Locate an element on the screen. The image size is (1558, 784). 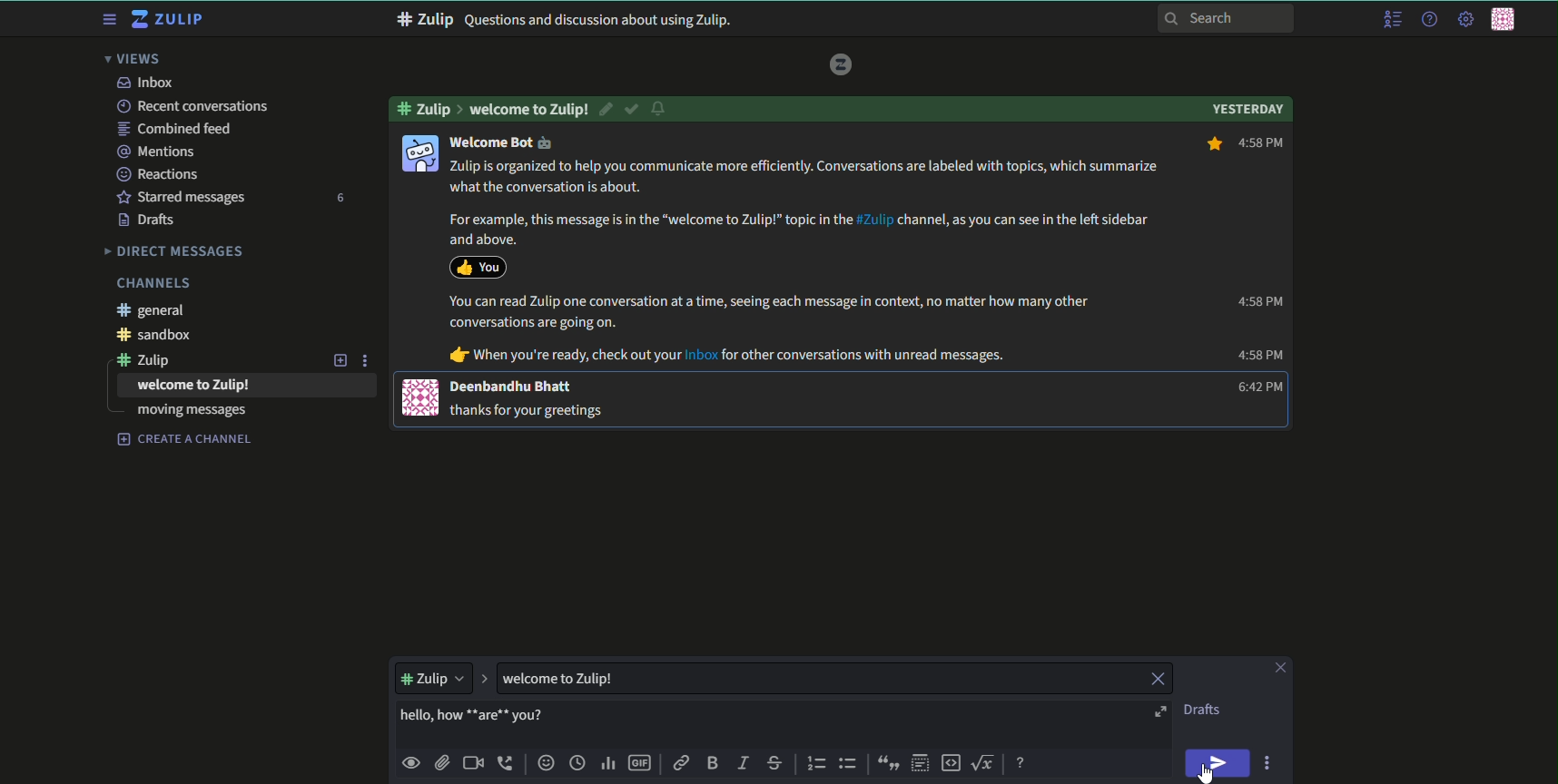
close is located at coordinates (1156, 680).